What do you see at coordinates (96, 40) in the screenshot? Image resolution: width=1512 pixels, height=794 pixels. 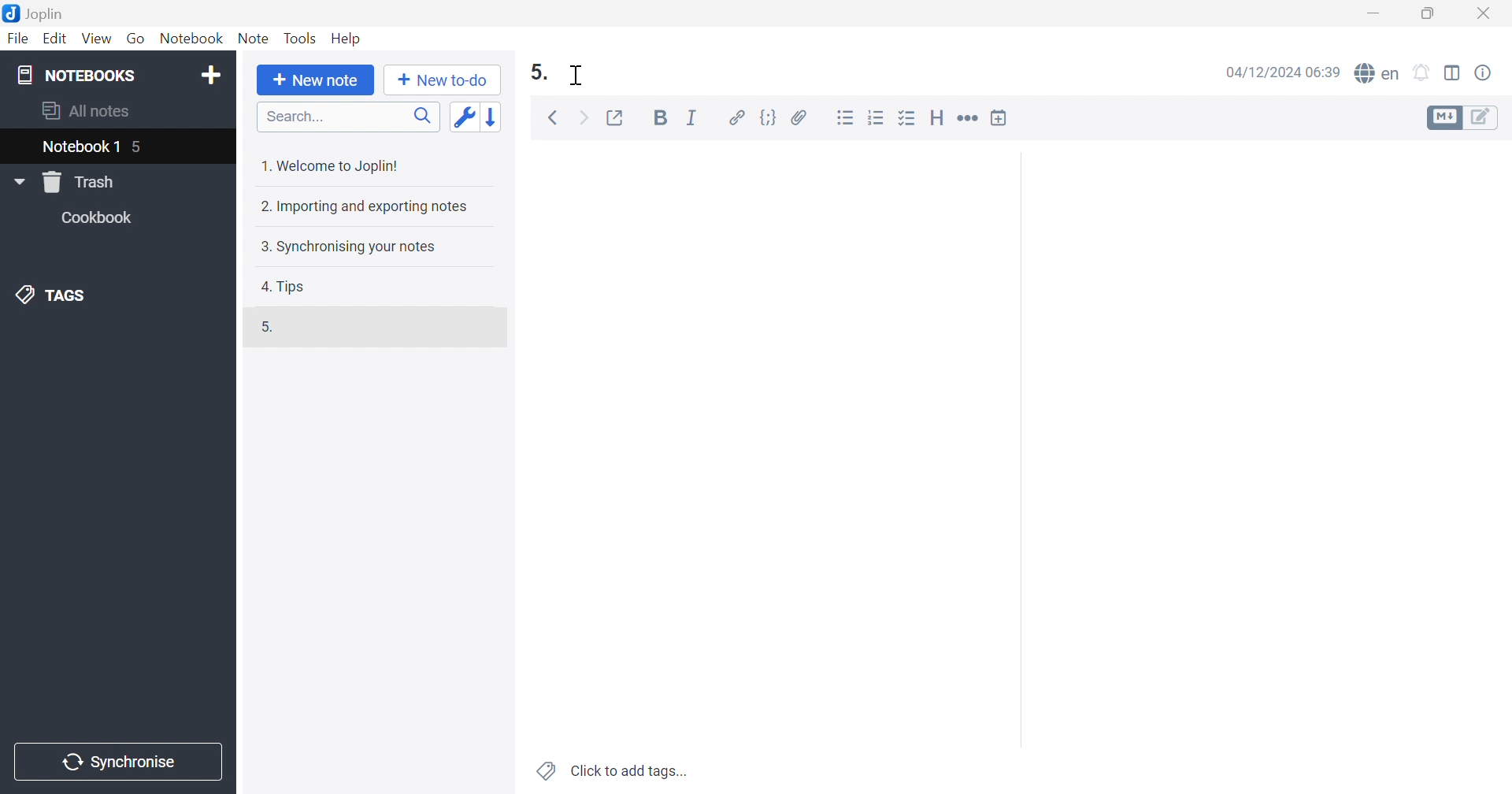 I see `View` at bounding box center [96, 40].